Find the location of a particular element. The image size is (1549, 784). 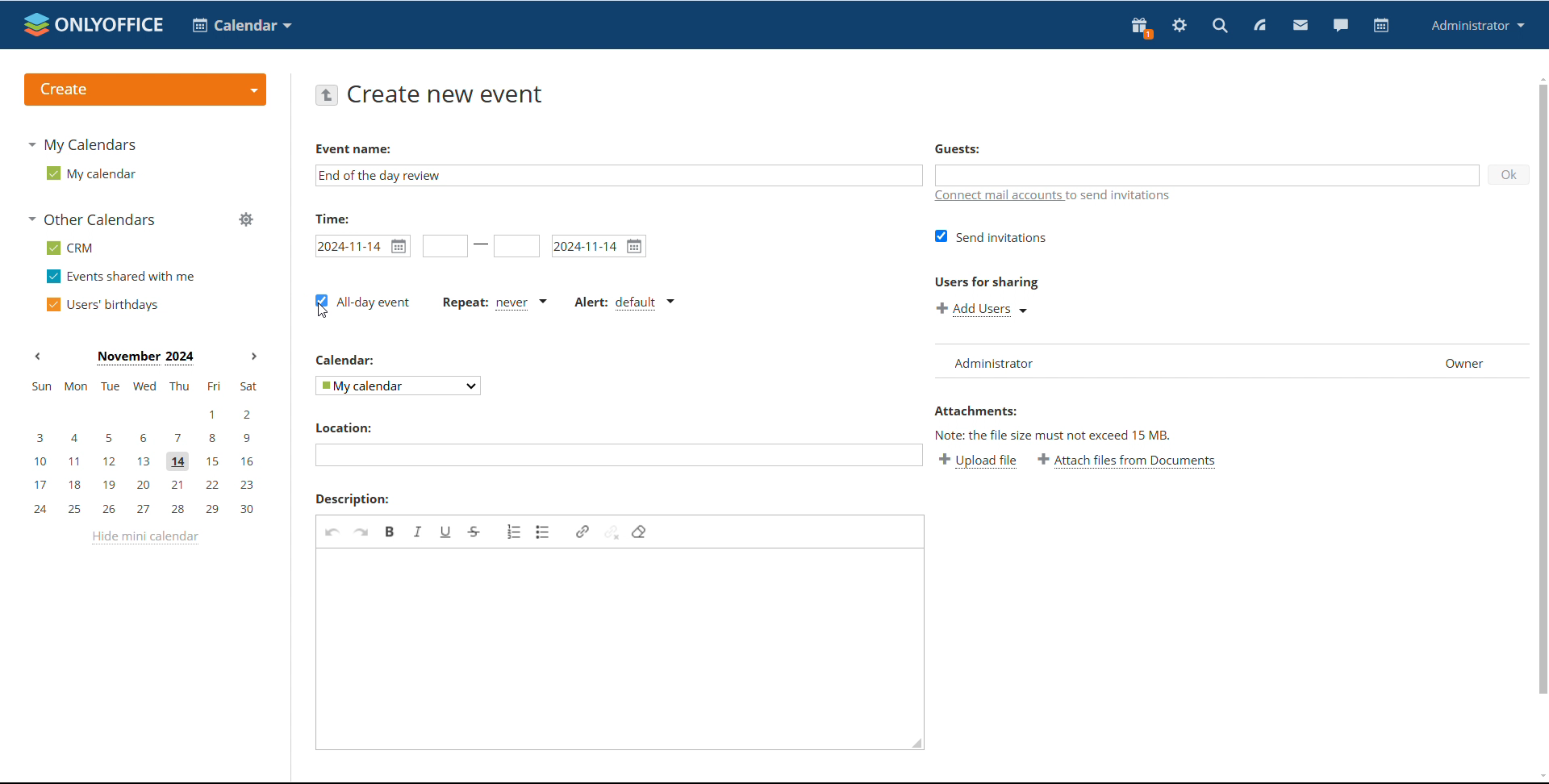

calendar is located at coordinates (1381, 26).